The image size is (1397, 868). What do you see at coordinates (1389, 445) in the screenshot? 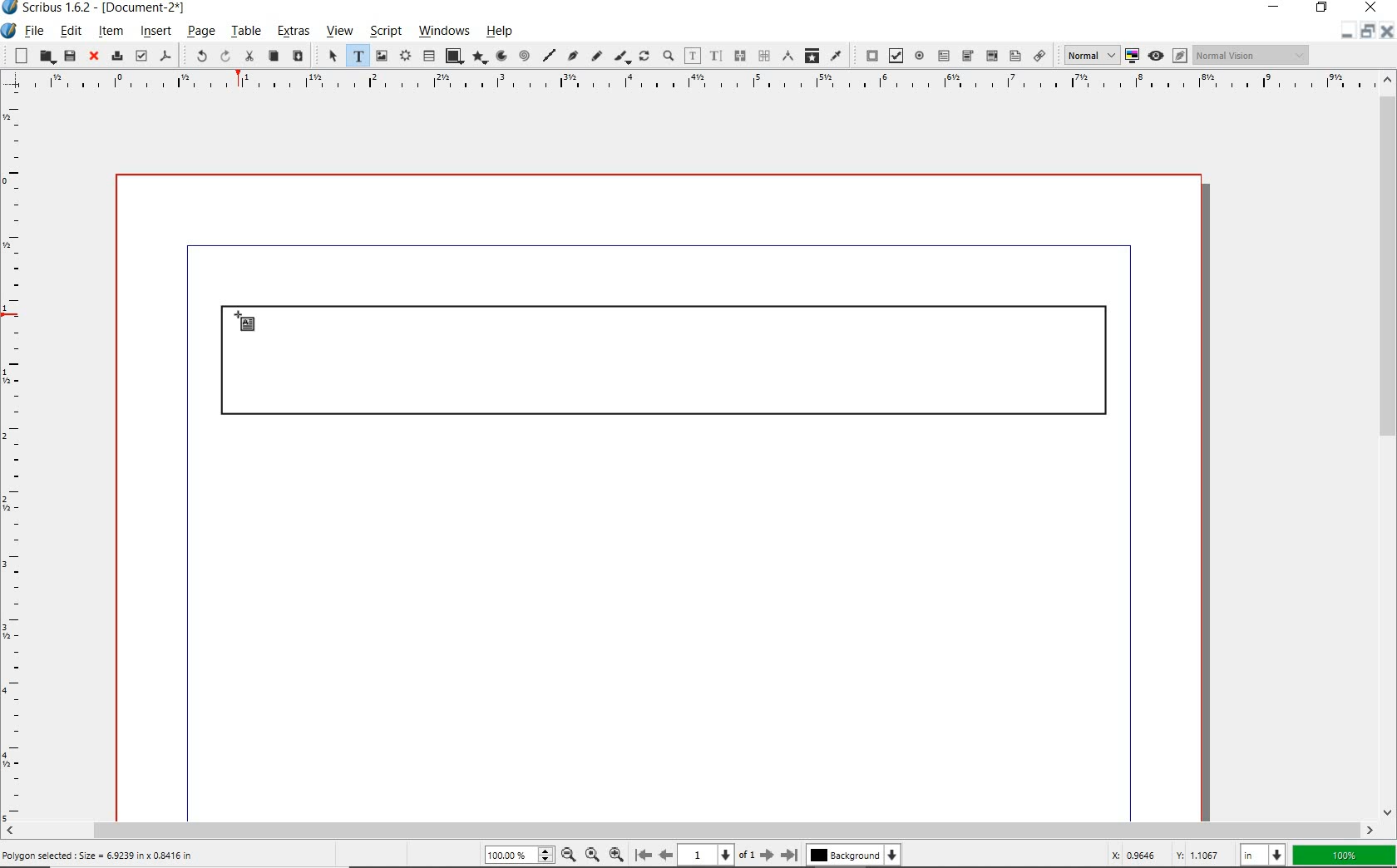
I see `scrollbar` at bounding box center [1389, 445].